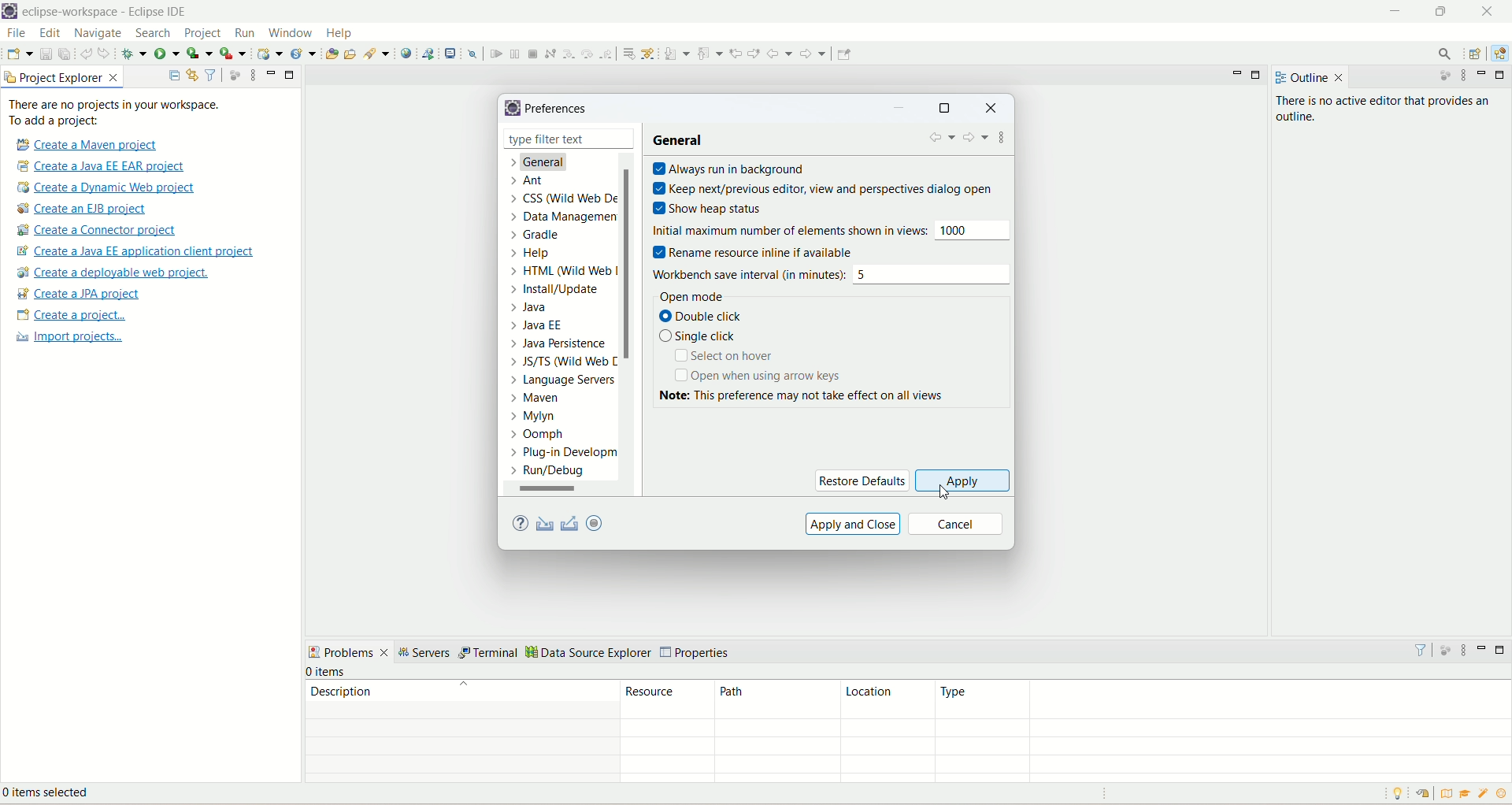 Image resolution: width=1512 pixels, height=805 pixels. I want to click on launch web service, so click(428, 53).